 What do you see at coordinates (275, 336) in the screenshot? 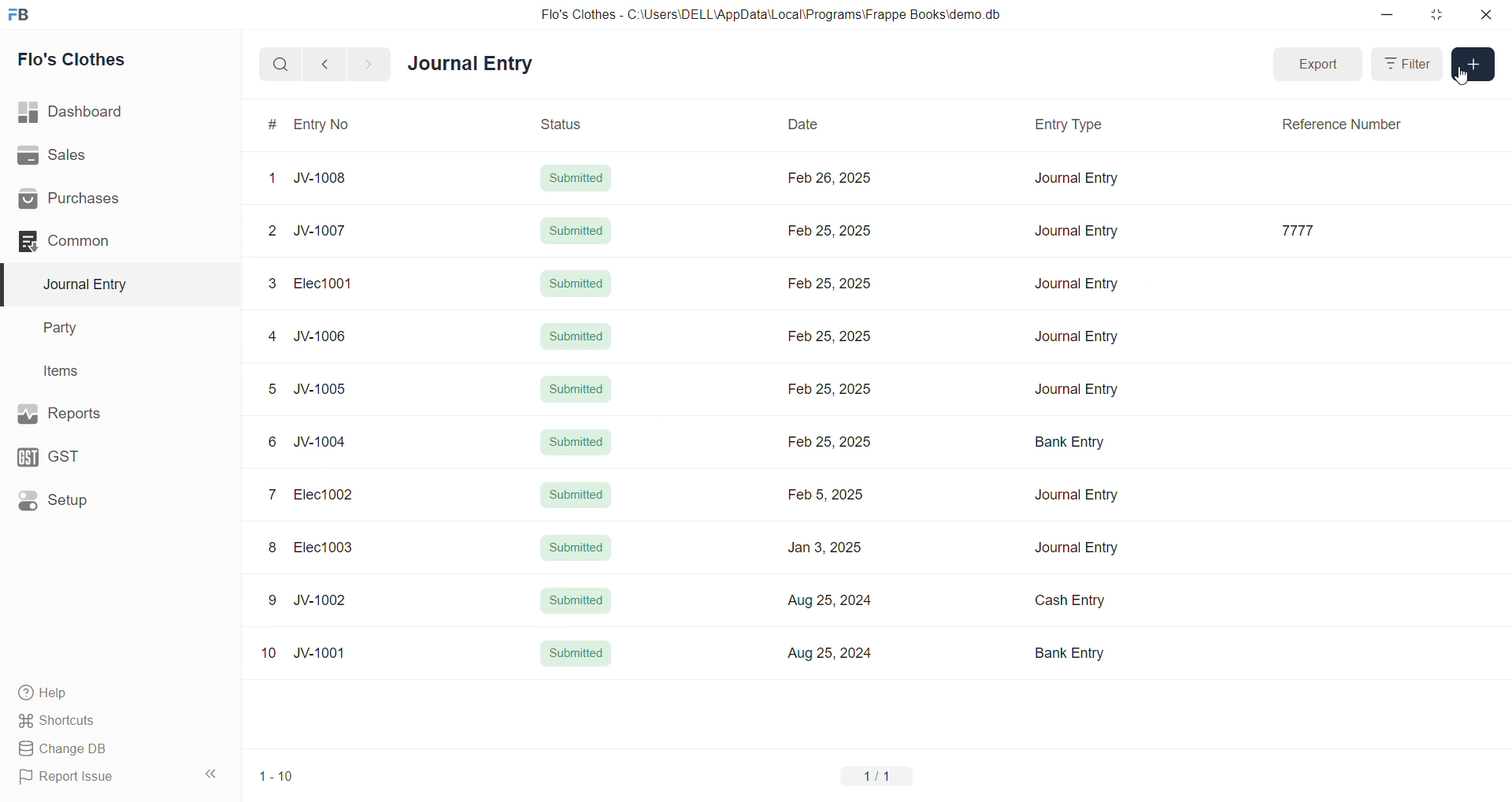
I see `4` at bounding box center [275, 336].